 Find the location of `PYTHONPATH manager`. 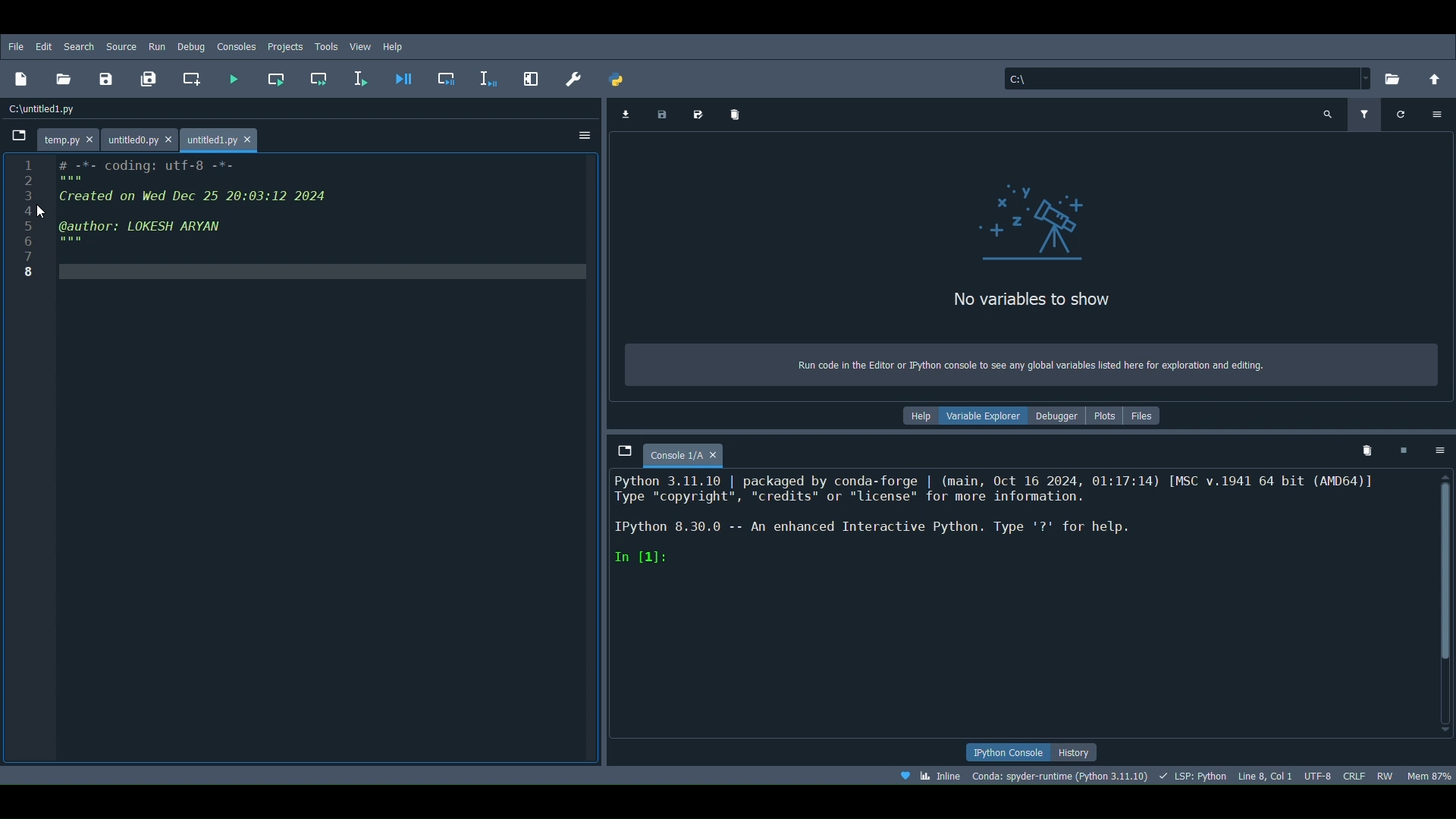

PYTHONPATH manager is located at coordinates (619, 76).